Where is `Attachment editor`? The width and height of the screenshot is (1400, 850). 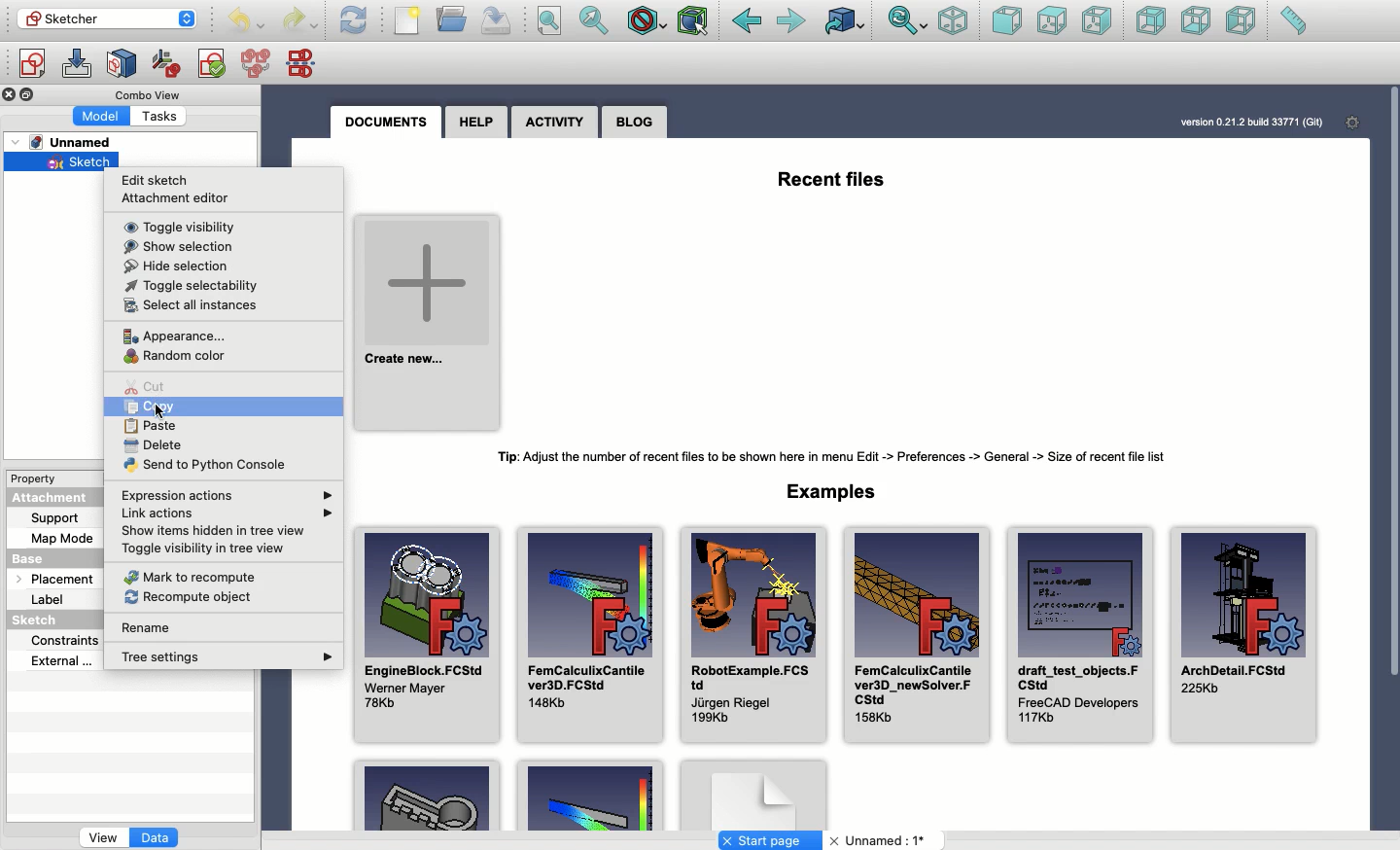 Attachment editor is located at coordinates (182, 196).